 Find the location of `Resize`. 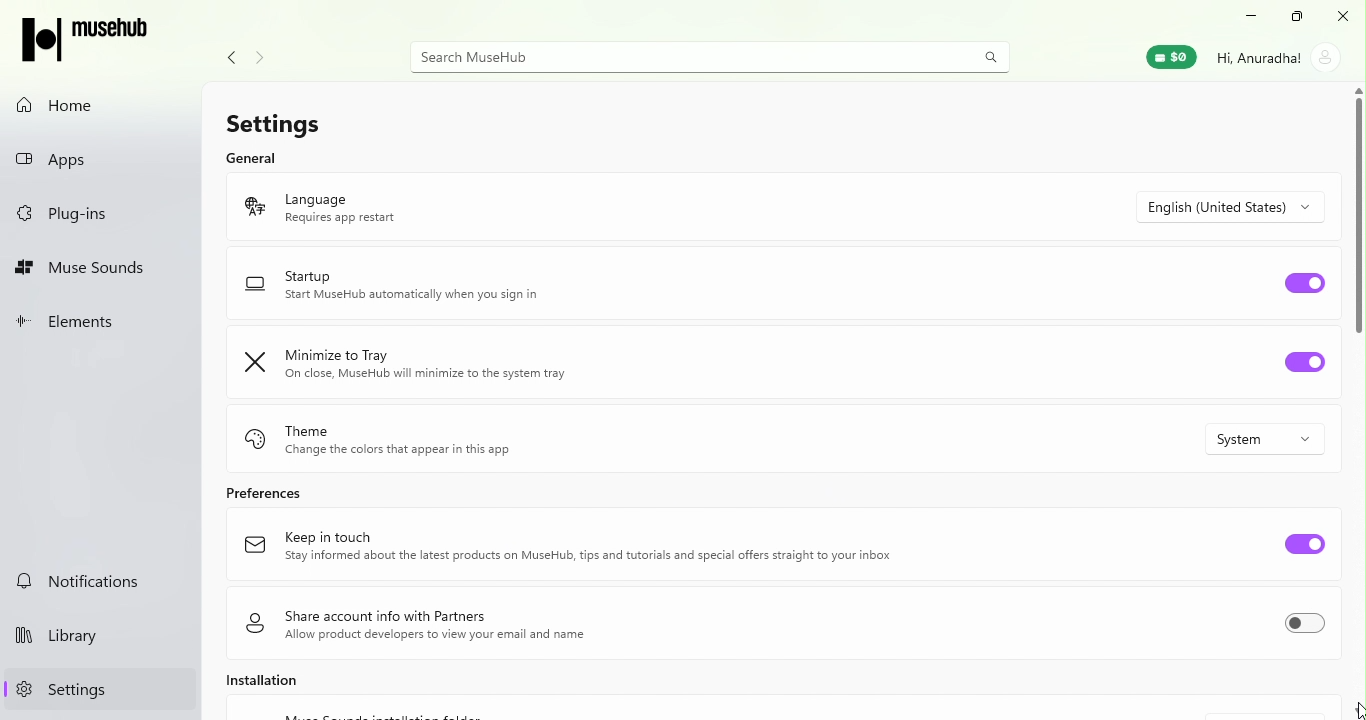

Resize is located at coordinates (1298, 19).